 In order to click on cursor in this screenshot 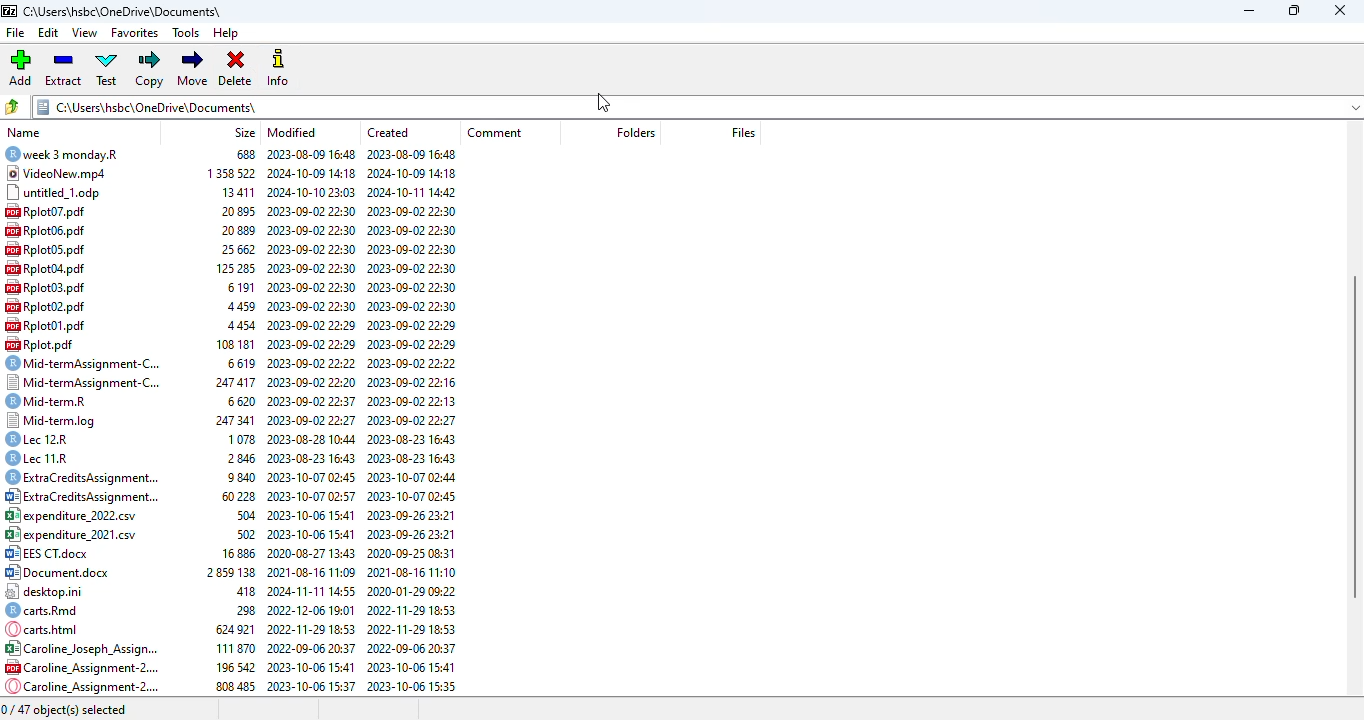, I will do `click(604, 103)`.